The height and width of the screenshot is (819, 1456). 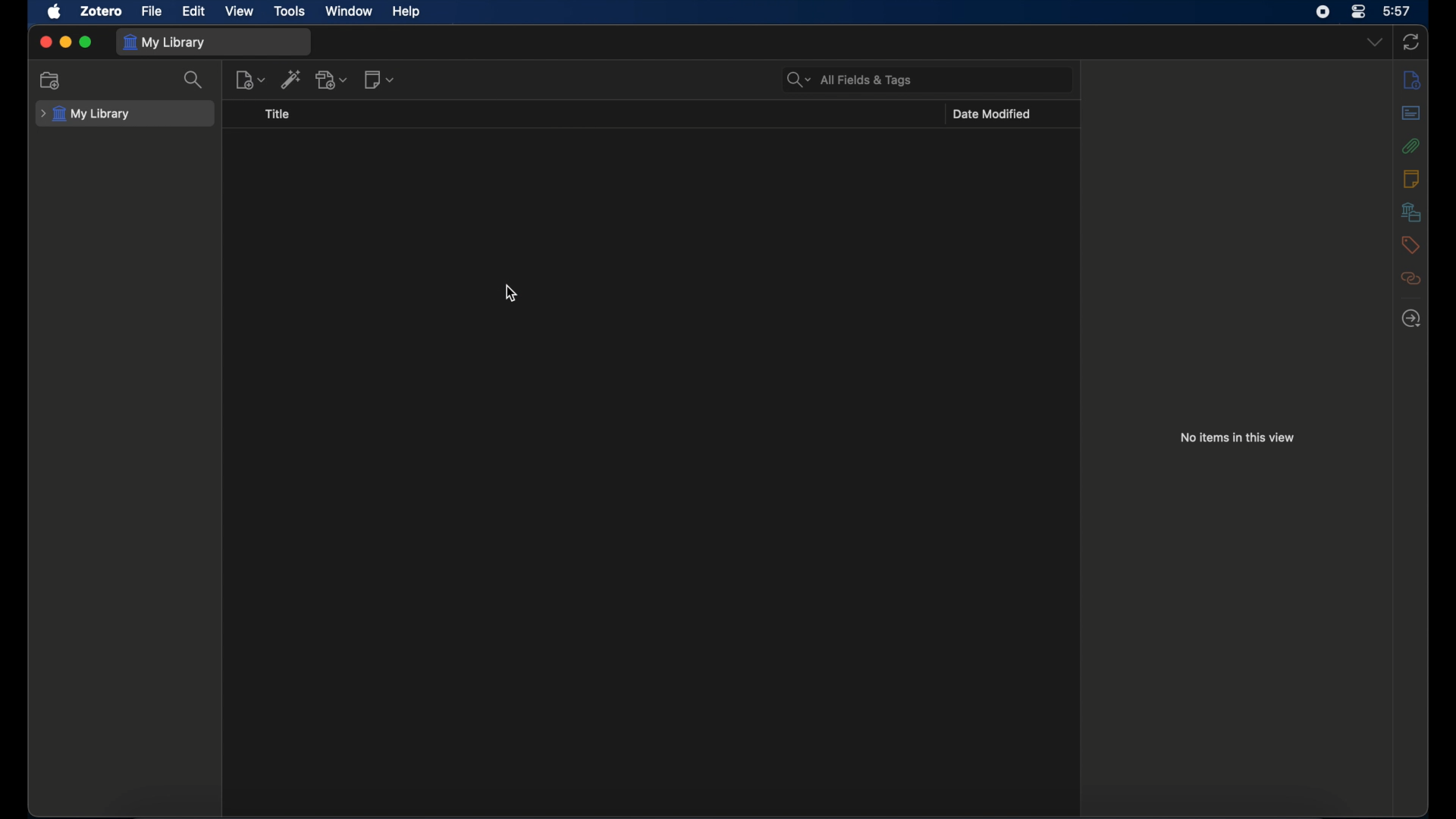 I want to click on close, so click(x=45, y=41).